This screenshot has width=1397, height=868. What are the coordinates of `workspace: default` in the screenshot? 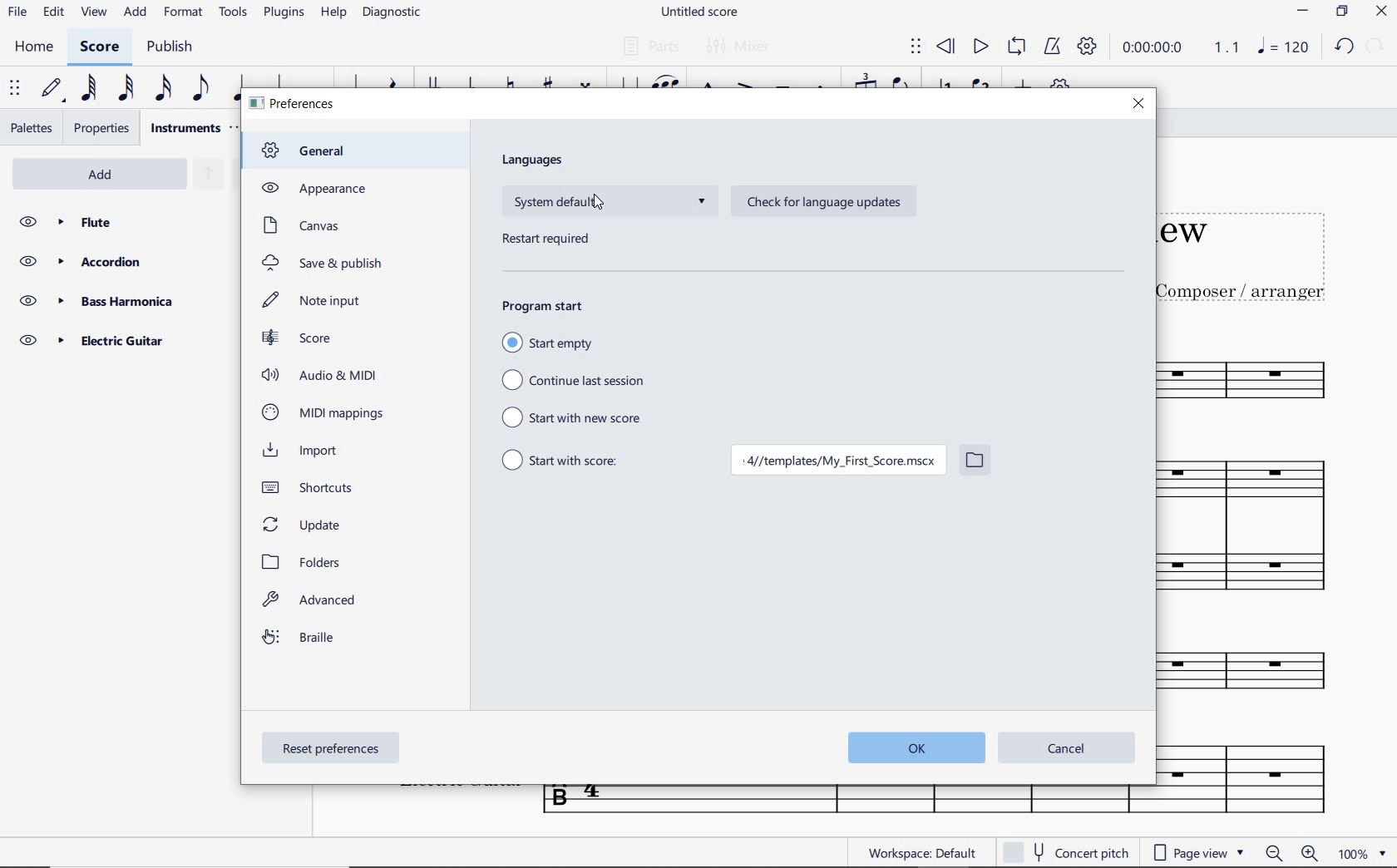 It's located at (923, 852).